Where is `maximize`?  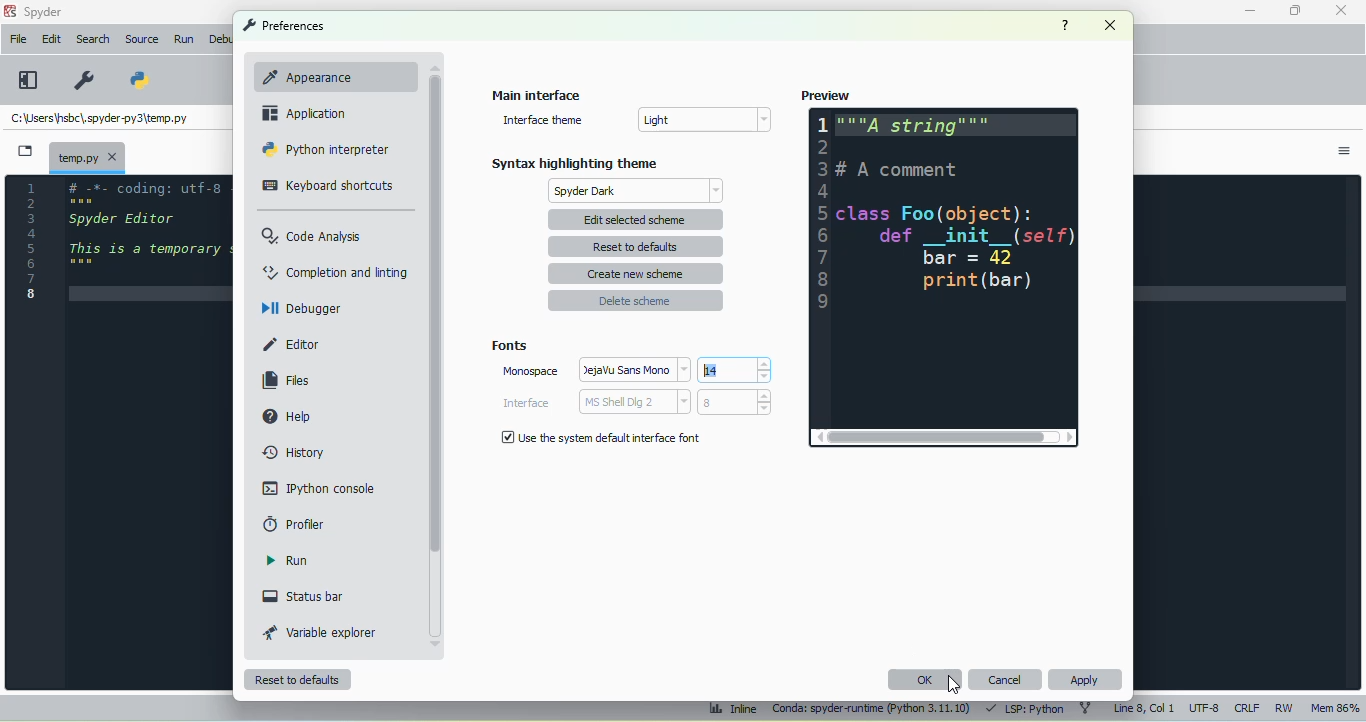 maximize is located at coordinates (1295, 10).